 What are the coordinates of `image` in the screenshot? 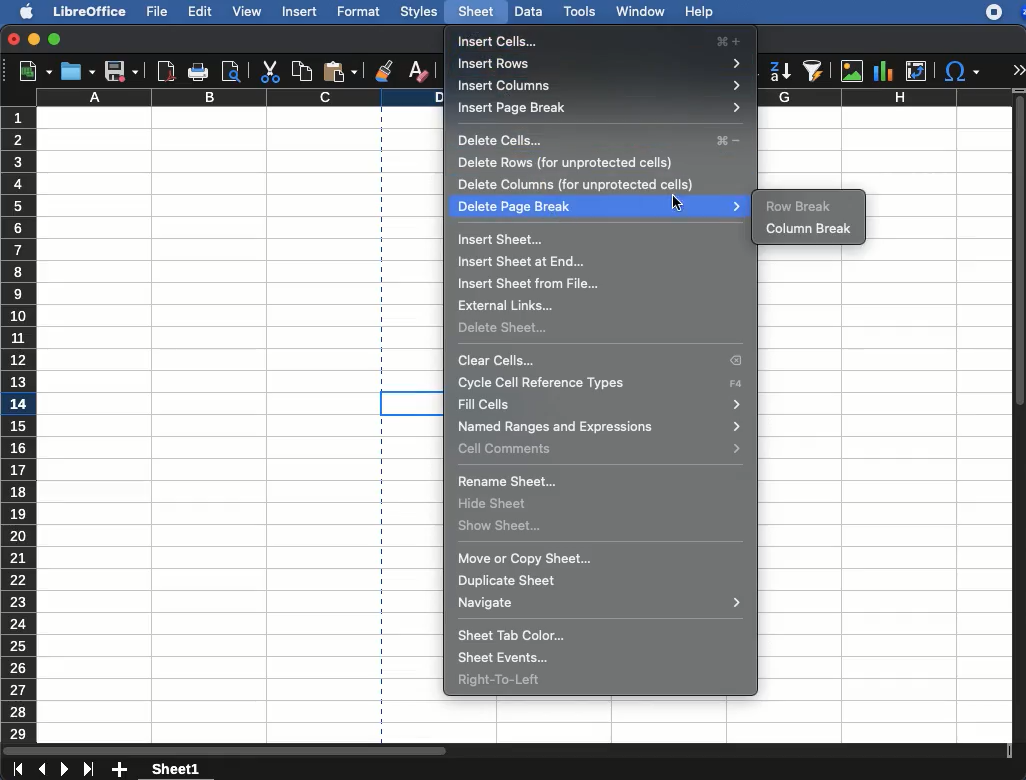 It's located at (852, 72).